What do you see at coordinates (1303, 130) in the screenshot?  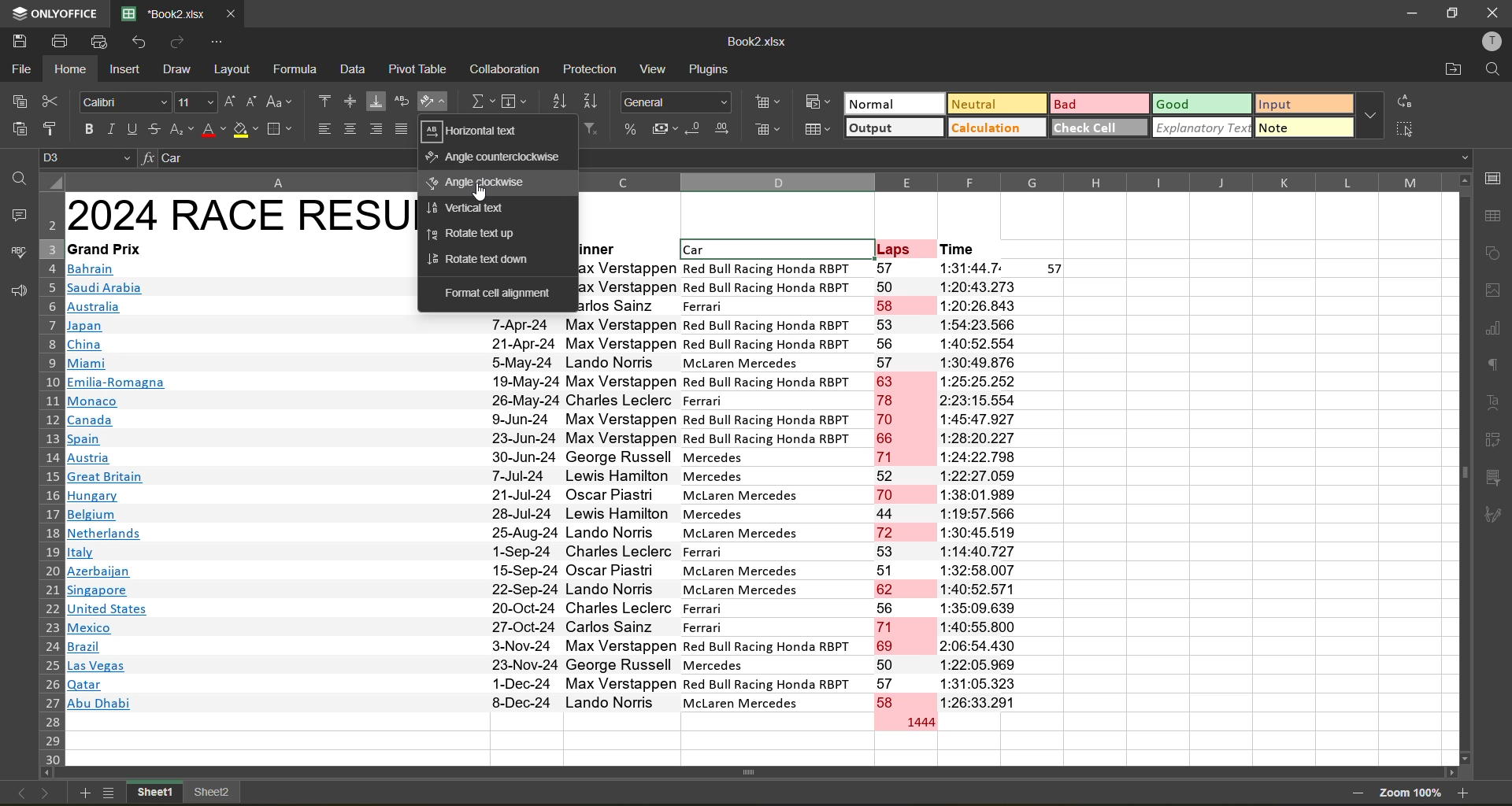 I see `note` at bounding box center [1303, 130].